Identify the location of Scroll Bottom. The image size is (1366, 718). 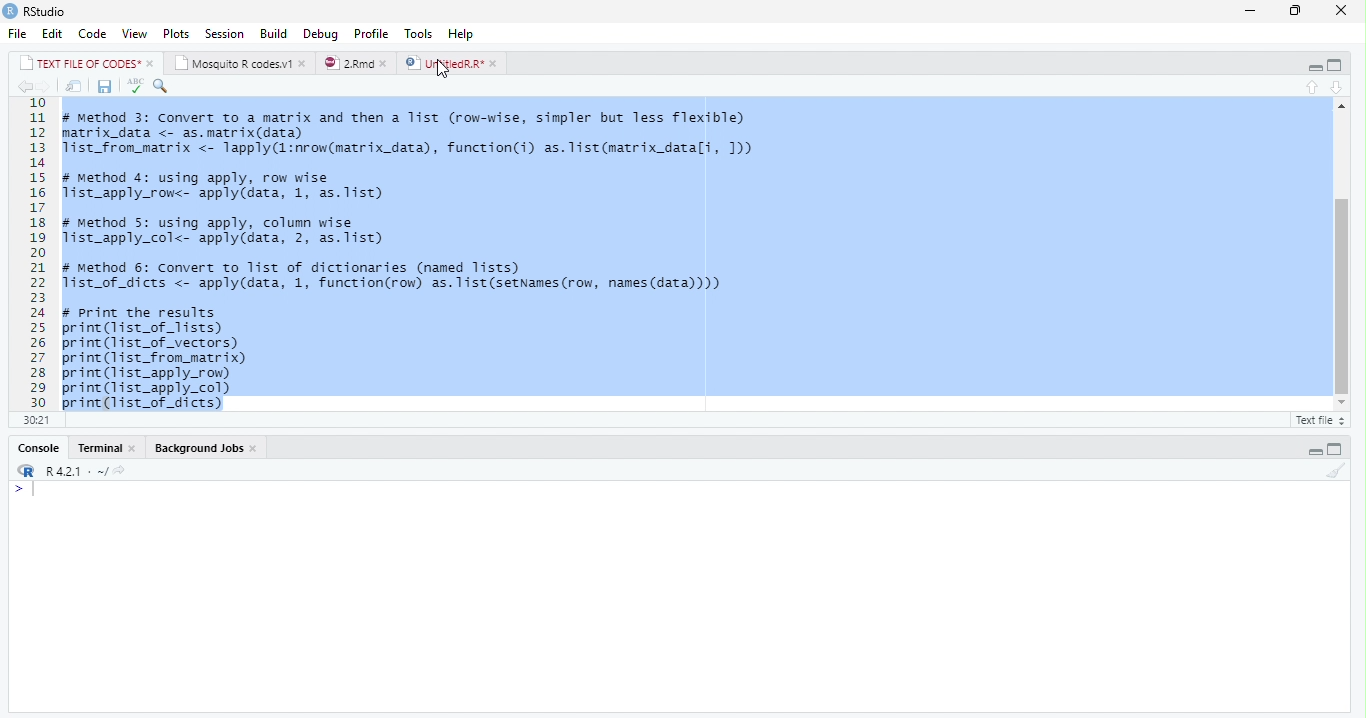
(1341, 401).